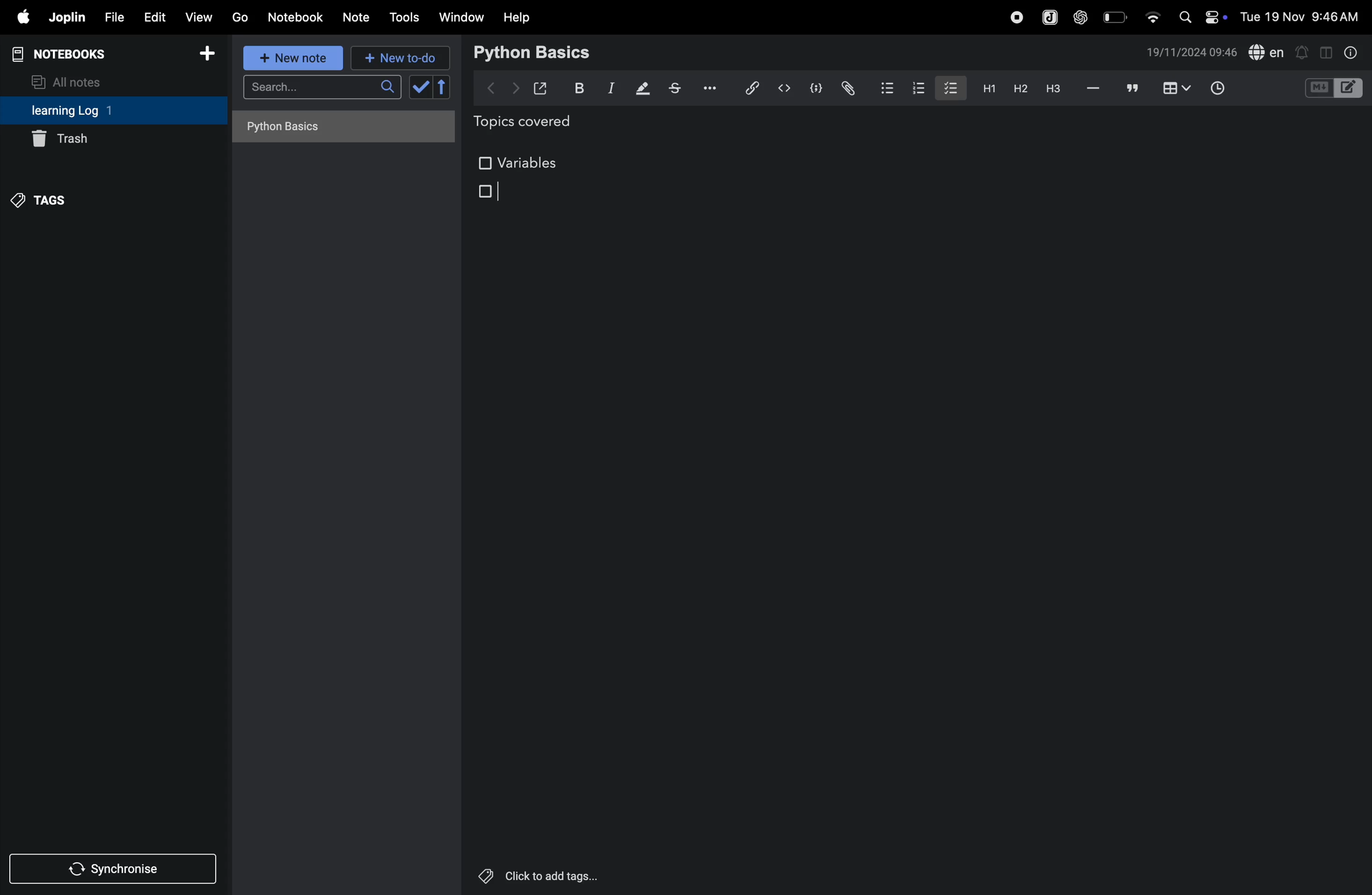 Image resolution: width=1372 pixels, height=895 pixels. Describe the element at coordinates (1200, 16) in the screenshot. I see `apple widgets` at that location.